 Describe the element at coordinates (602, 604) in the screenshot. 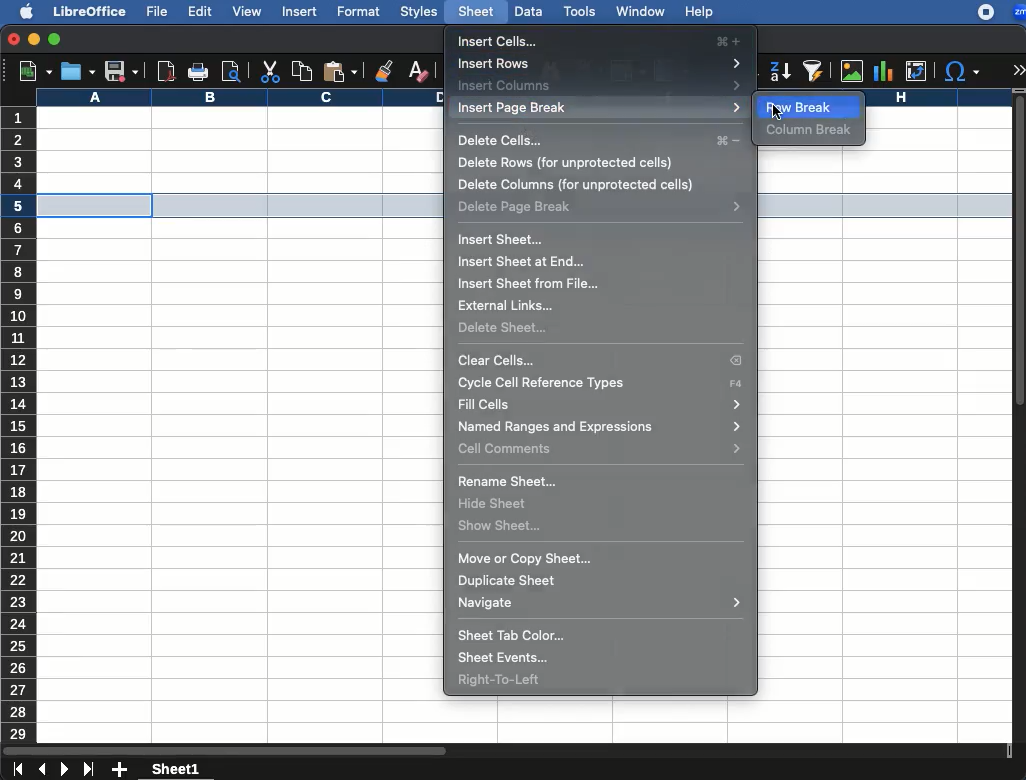

I see `navigate` at that location.